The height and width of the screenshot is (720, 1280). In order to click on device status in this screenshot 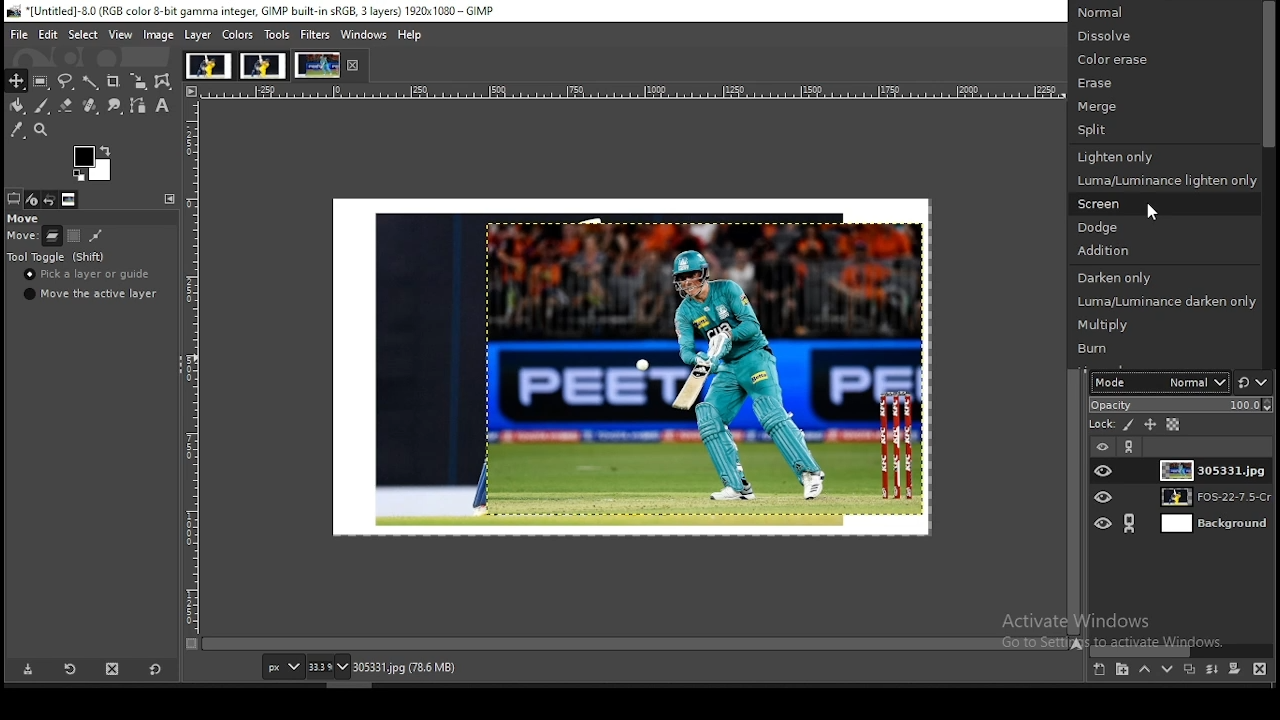, I will do `click(31, 198)`.